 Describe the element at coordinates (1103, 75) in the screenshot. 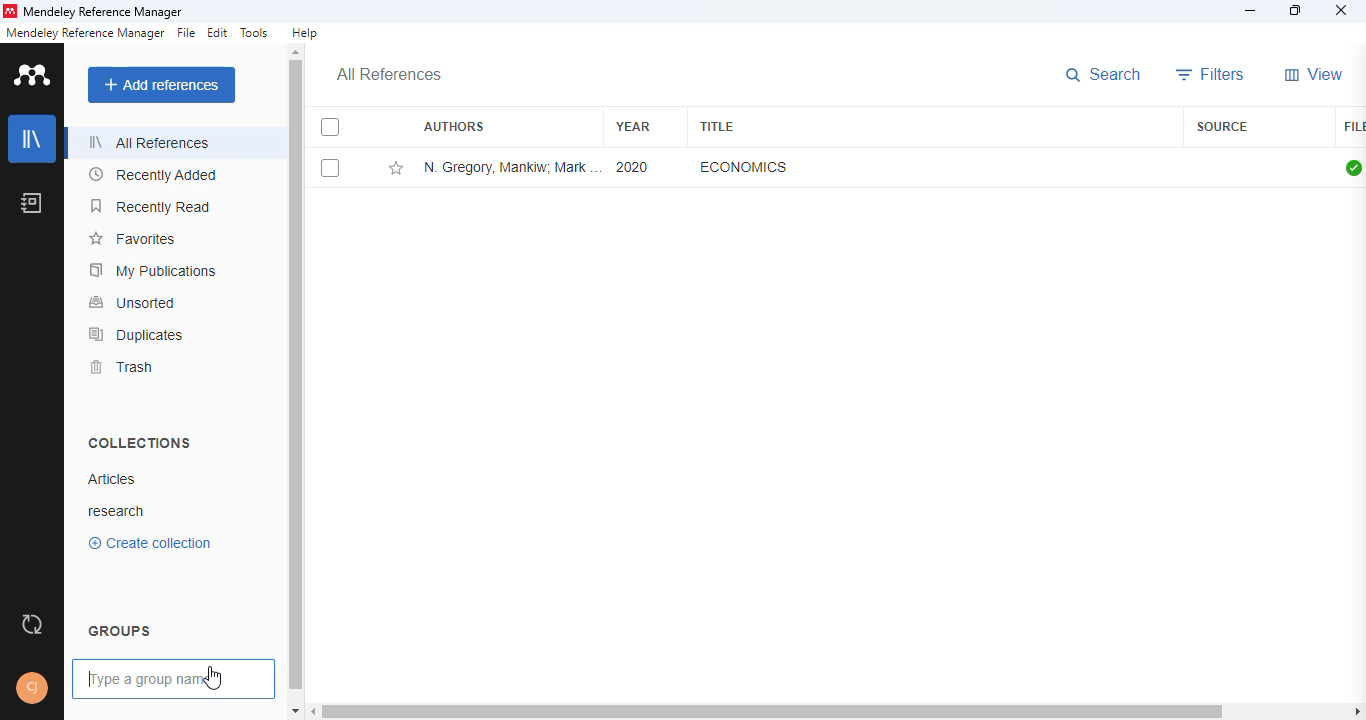

I see `search` at that location.